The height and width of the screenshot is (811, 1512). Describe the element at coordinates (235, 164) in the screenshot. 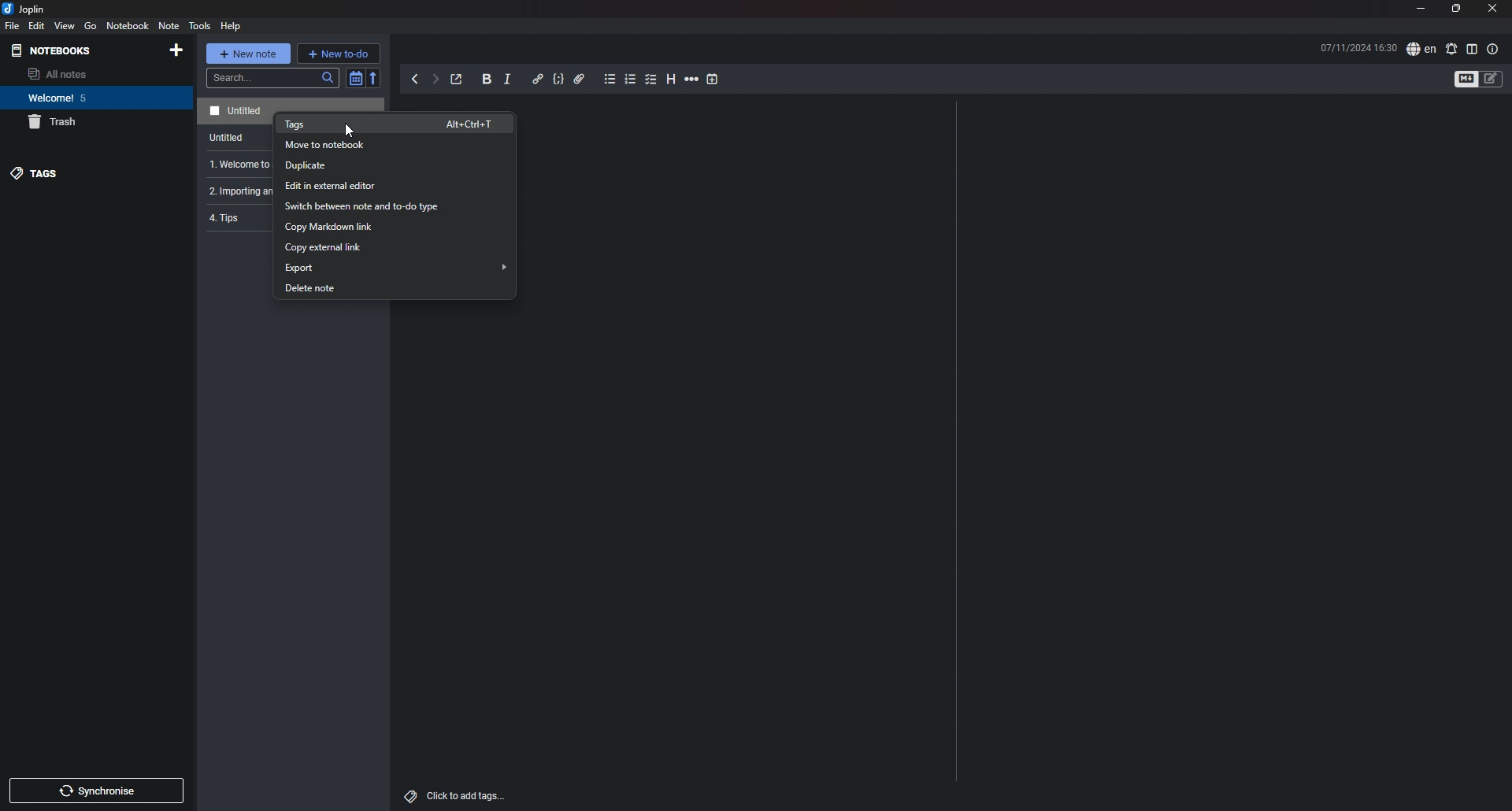

I see `1. Welcome` at that location.